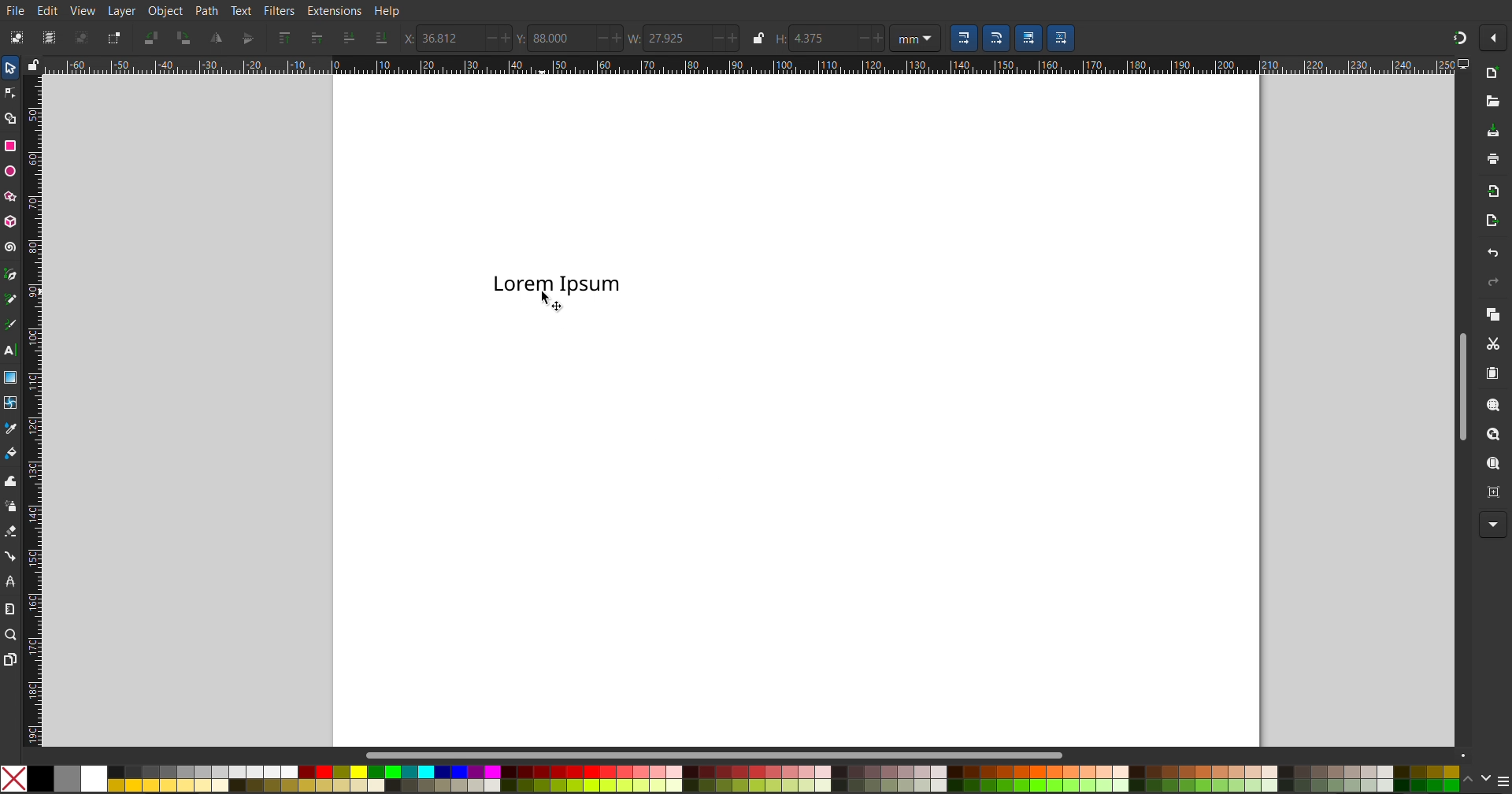  Describe the element at coordinates (246, 38) in the screenshot. I see `Flip Vertical` at that location.